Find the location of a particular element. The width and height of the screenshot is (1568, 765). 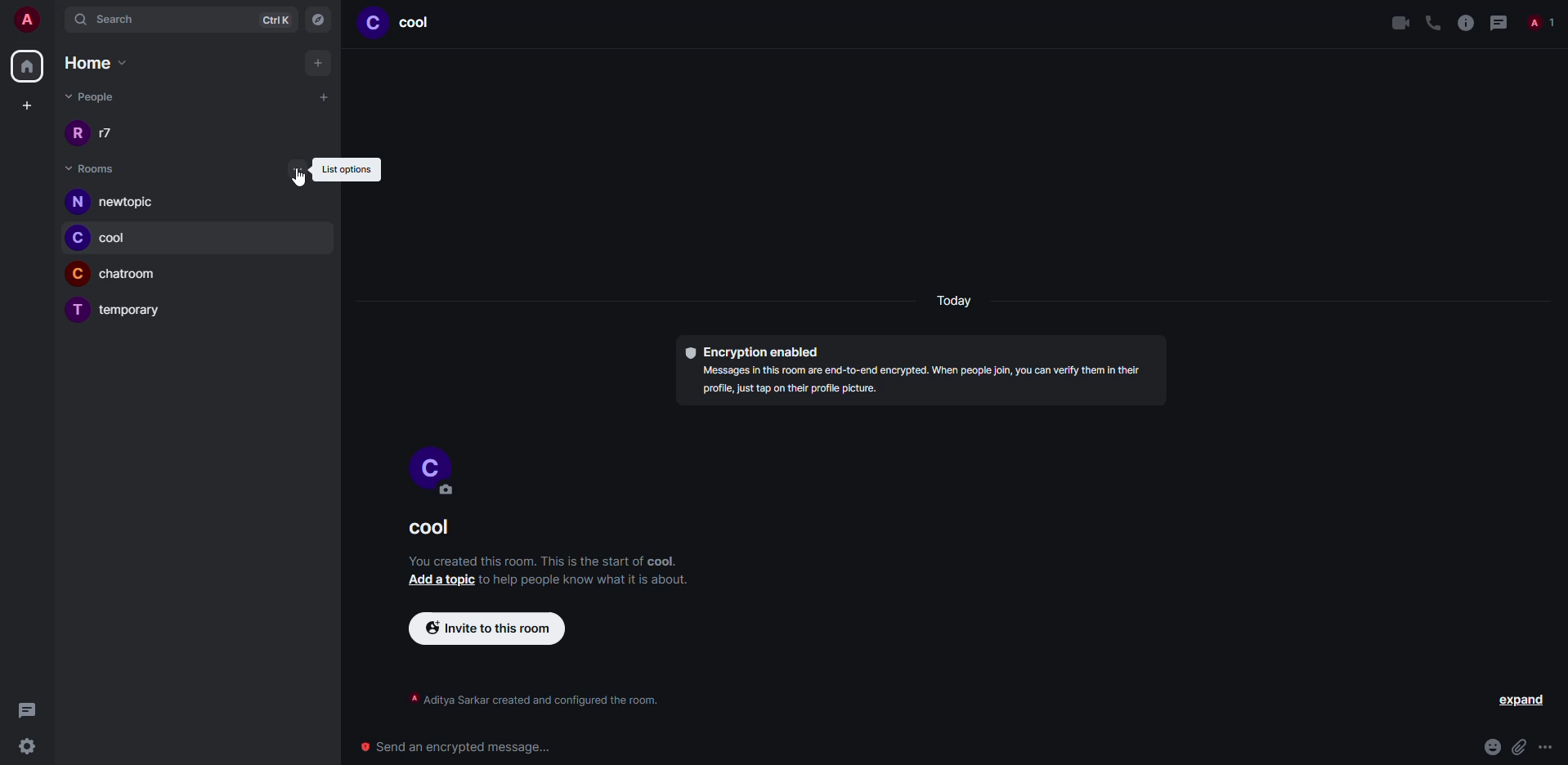

emoji is located at coordinates (1490, 747).